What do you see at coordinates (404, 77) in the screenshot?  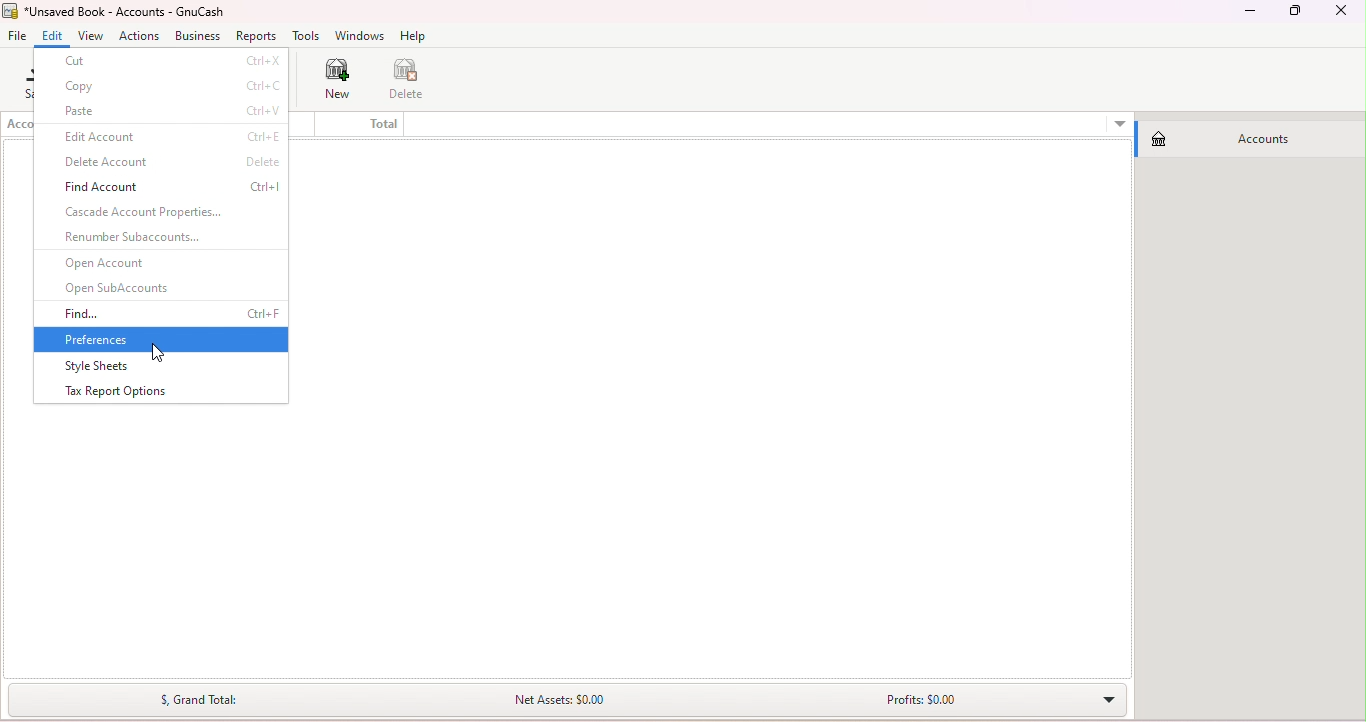 I see `Delete` at bounding box center [404, 77].